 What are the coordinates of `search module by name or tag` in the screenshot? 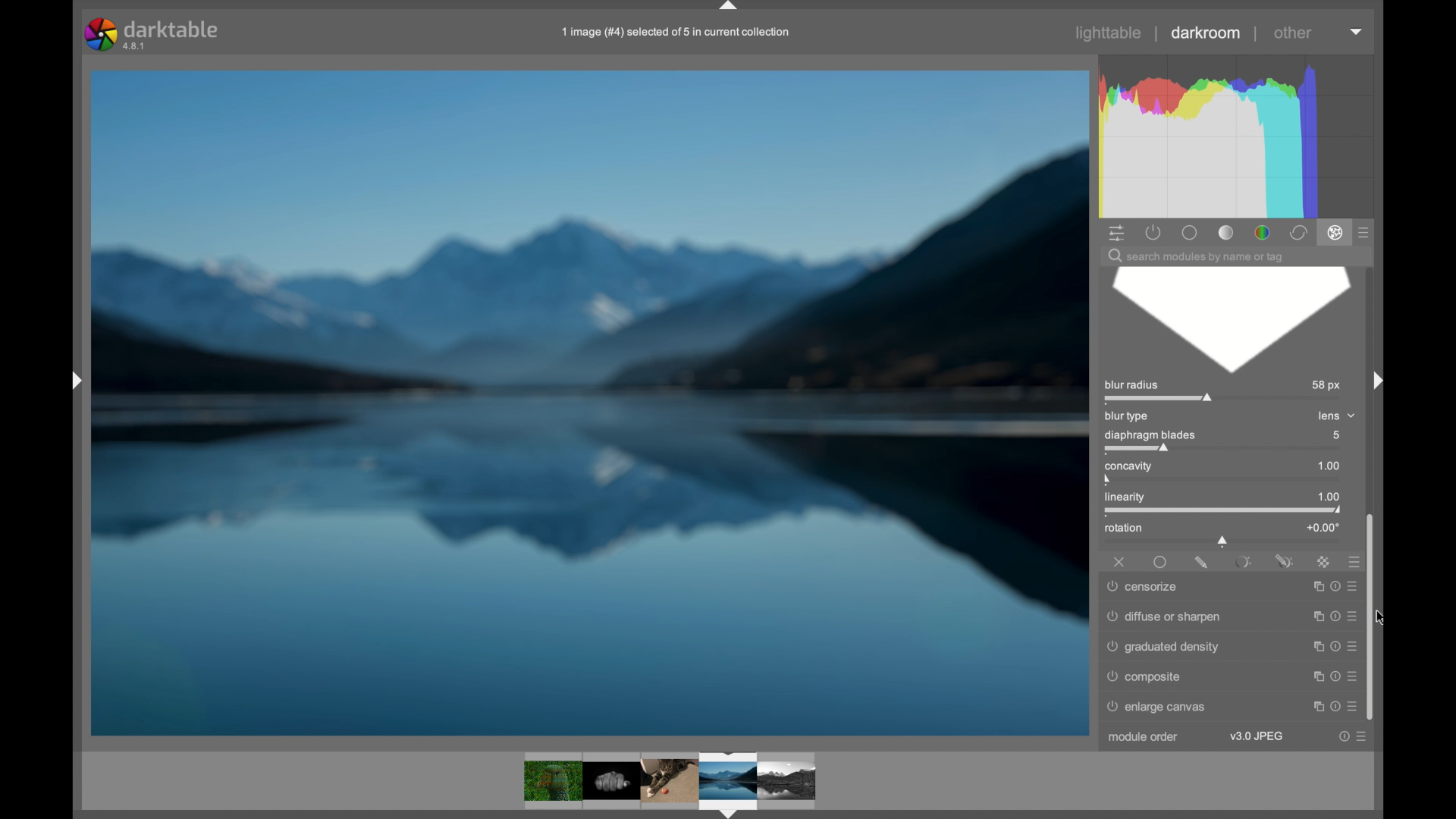 It's located at (1196, 256).